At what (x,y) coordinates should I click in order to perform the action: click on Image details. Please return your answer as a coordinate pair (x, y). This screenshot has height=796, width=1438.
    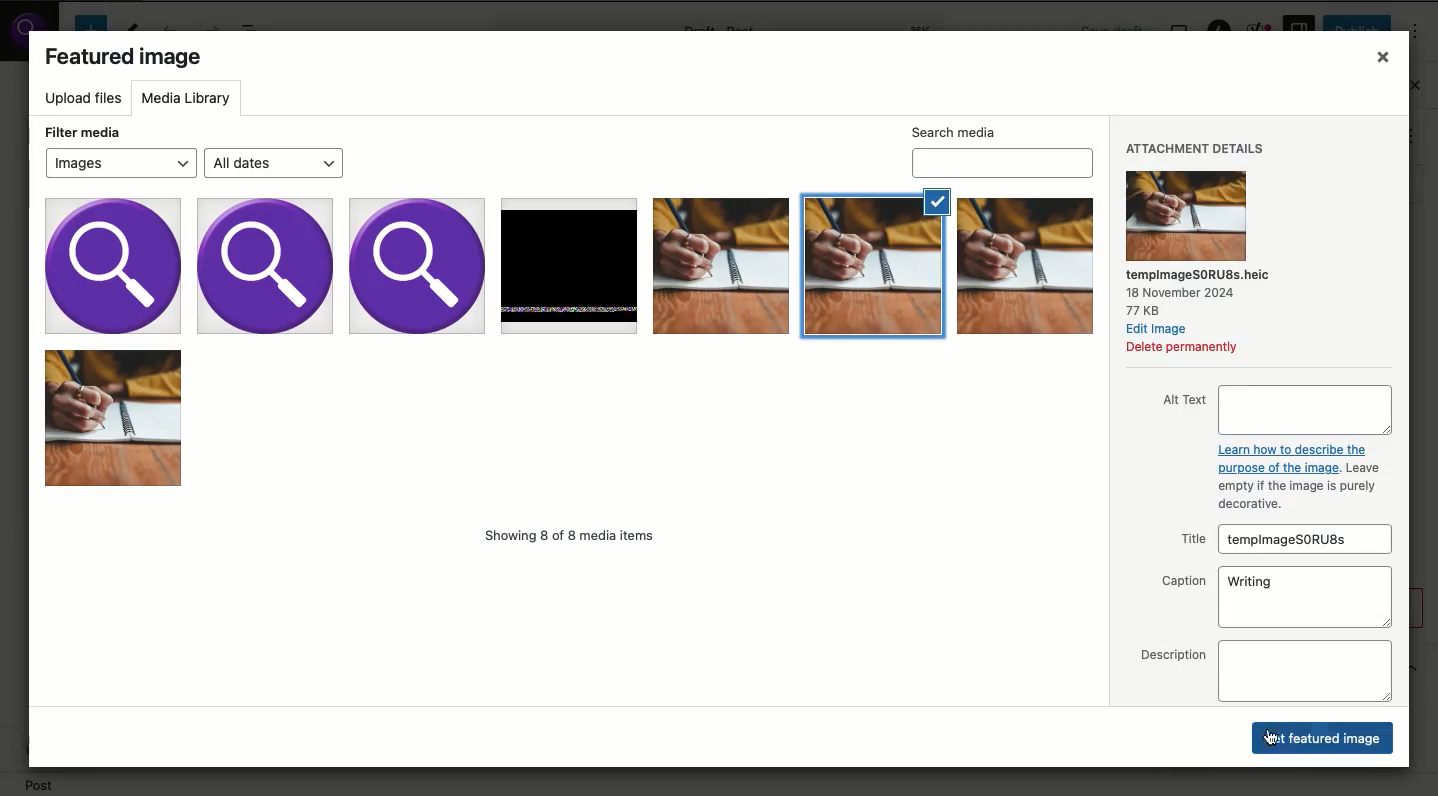
    Looking at the image, I should click on (1185, 216).